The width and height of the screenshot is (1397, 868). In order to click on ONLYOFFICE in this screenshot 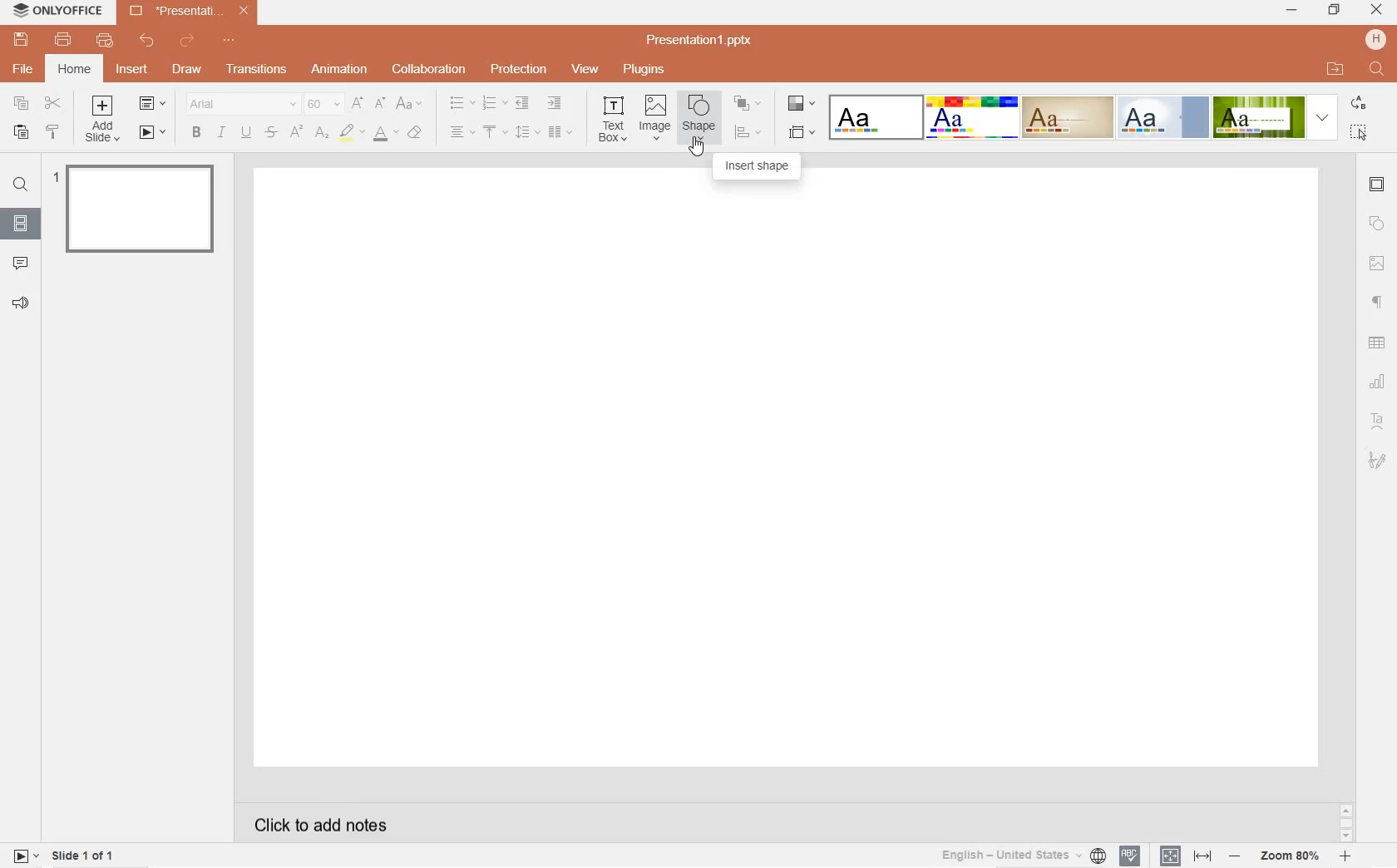, I will do `click(59, 13)`.